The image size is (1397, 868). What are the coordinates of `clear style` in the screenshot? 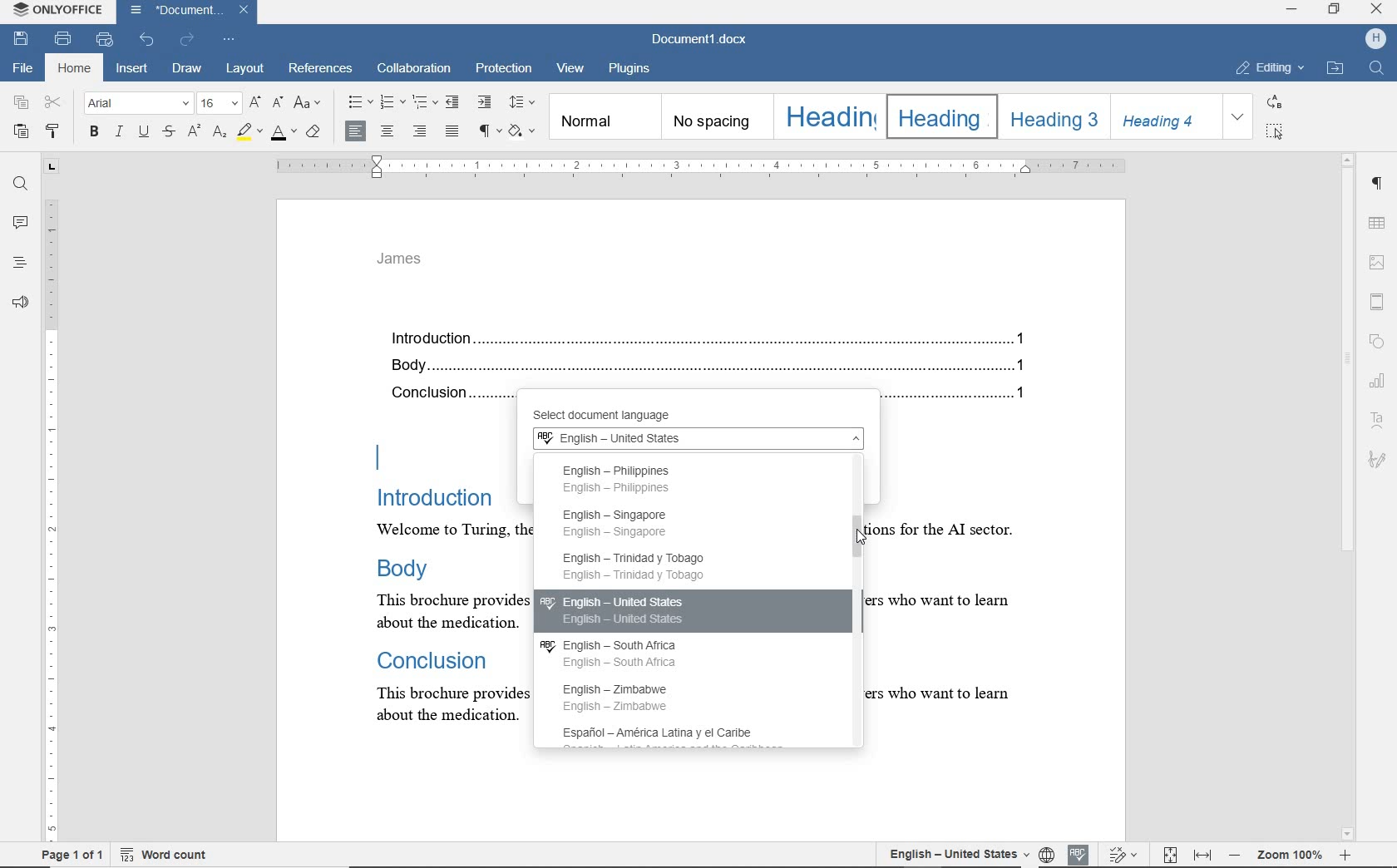 It's located at (315, 132).